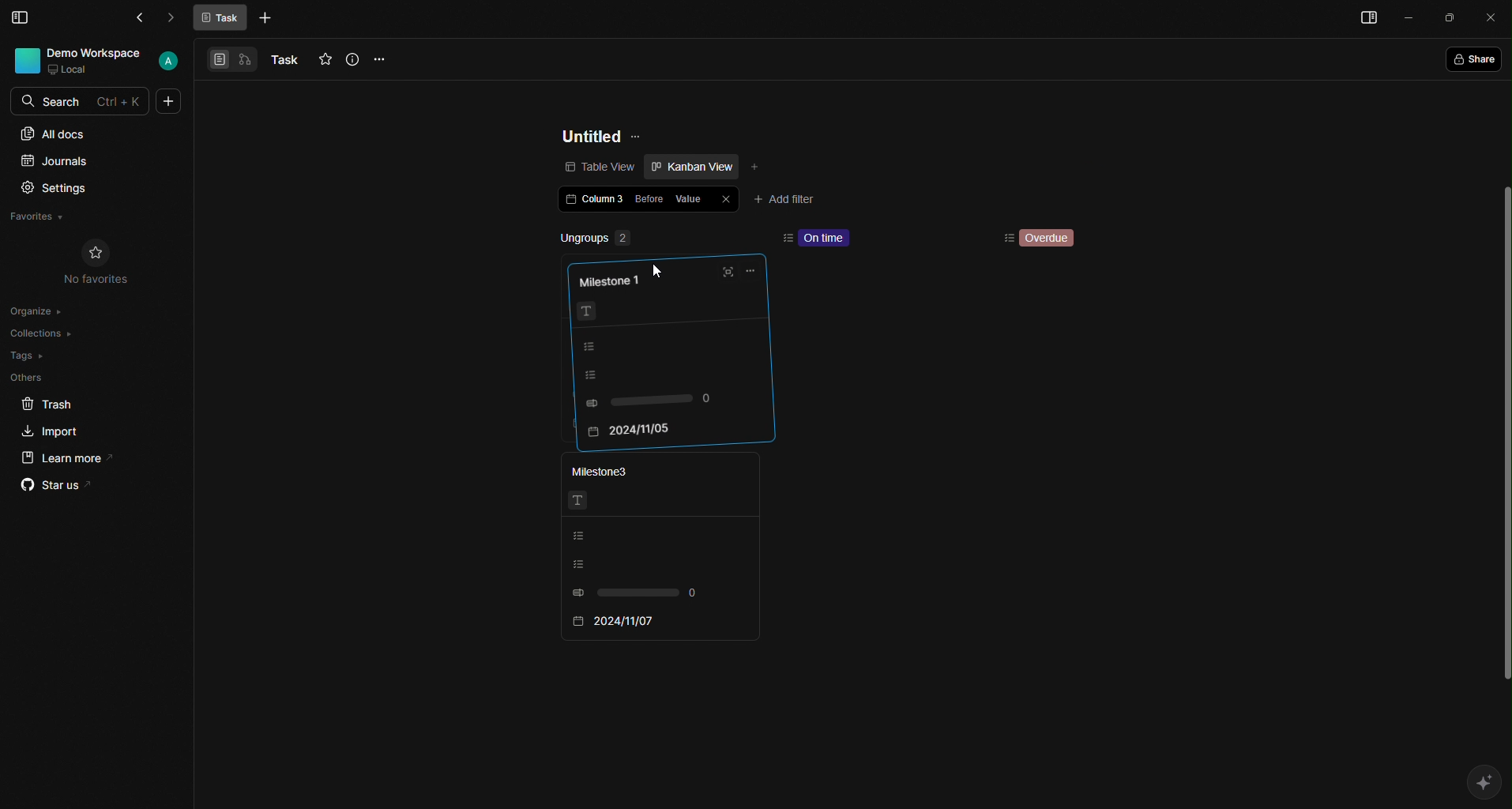 Image resolution: width=1512 pixels, height=809 pixels. I want to click on Sorting, so click(1006, 238).